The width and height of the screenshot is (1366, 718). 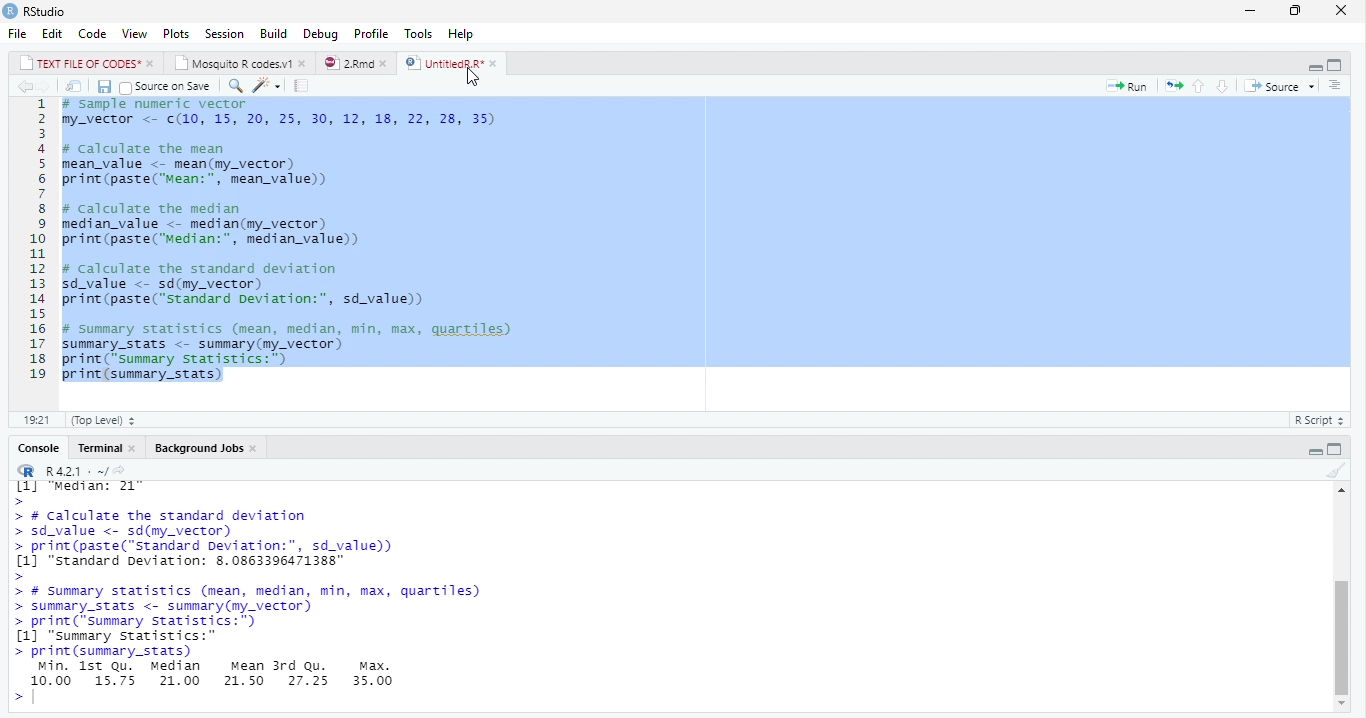 What do you see at coordinates (1346, 10) in the screenshot?
I see `close` at bounding box center [1346, 10].